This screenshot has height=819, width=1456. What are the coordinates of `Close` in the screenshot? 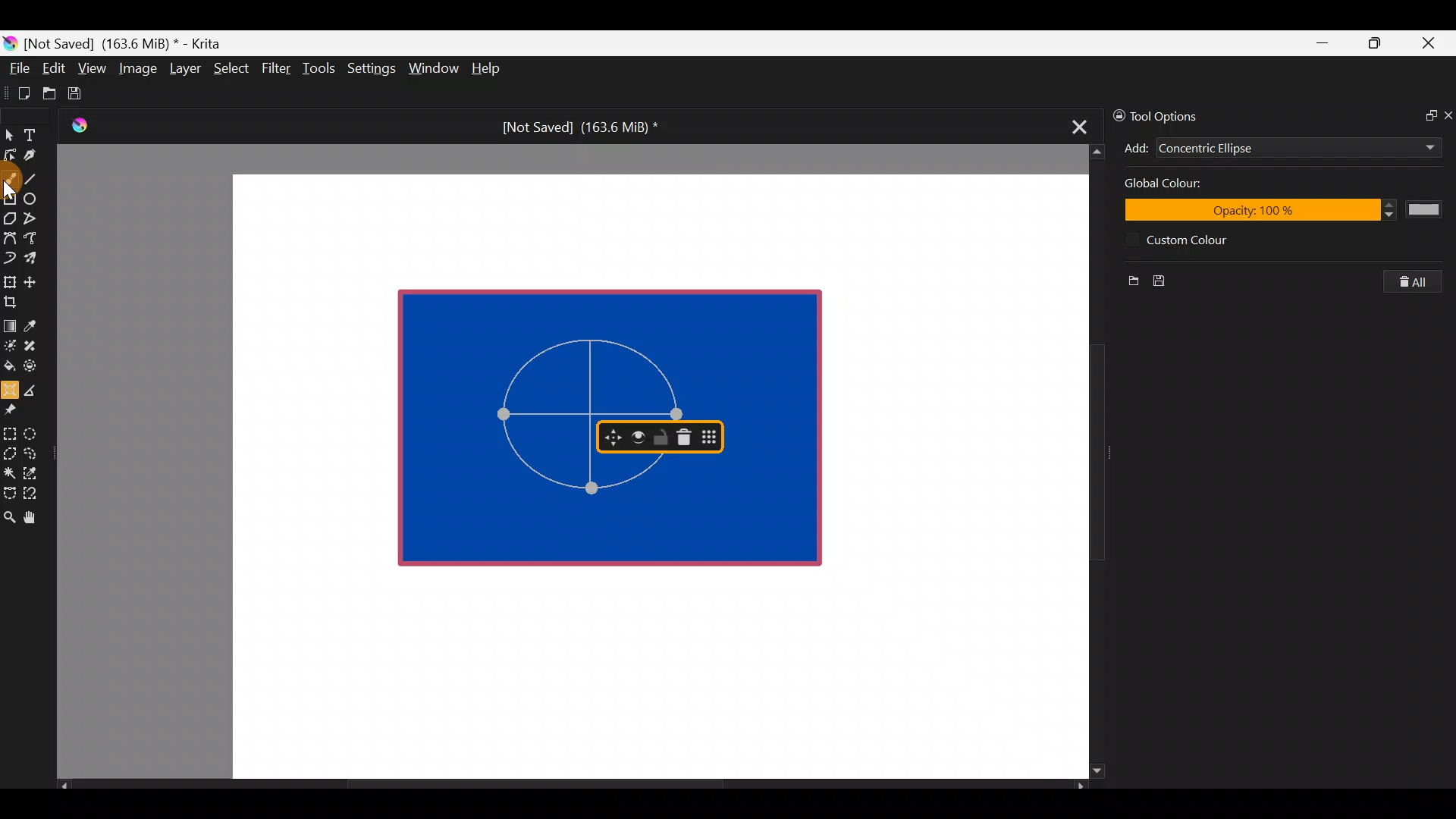 It's located at (1429, 46).